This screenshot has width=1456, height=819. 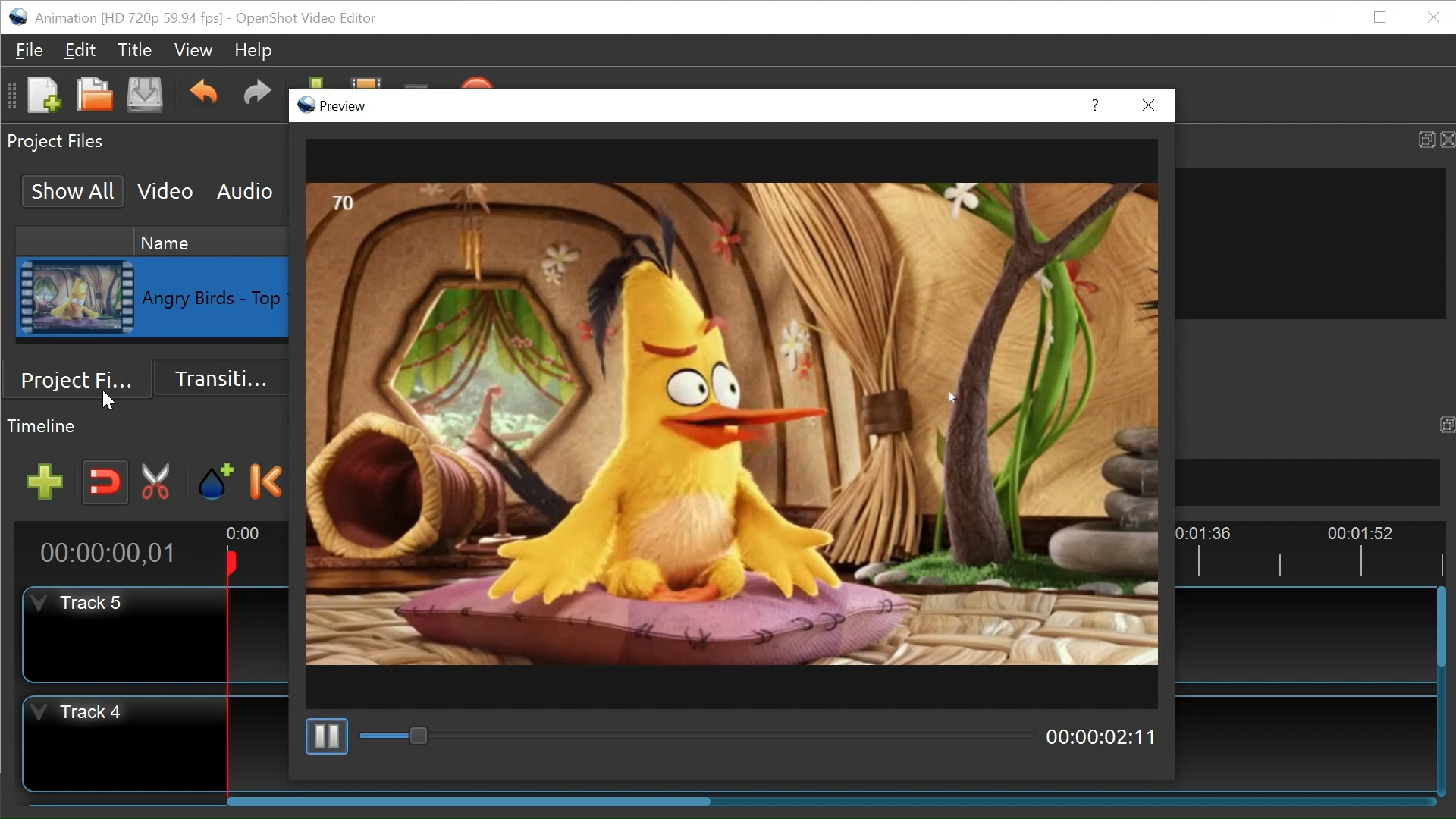 What do you see at coordinates (221, 378) in the screenshot?
I see `Transition` at bounding box center [221, 378].